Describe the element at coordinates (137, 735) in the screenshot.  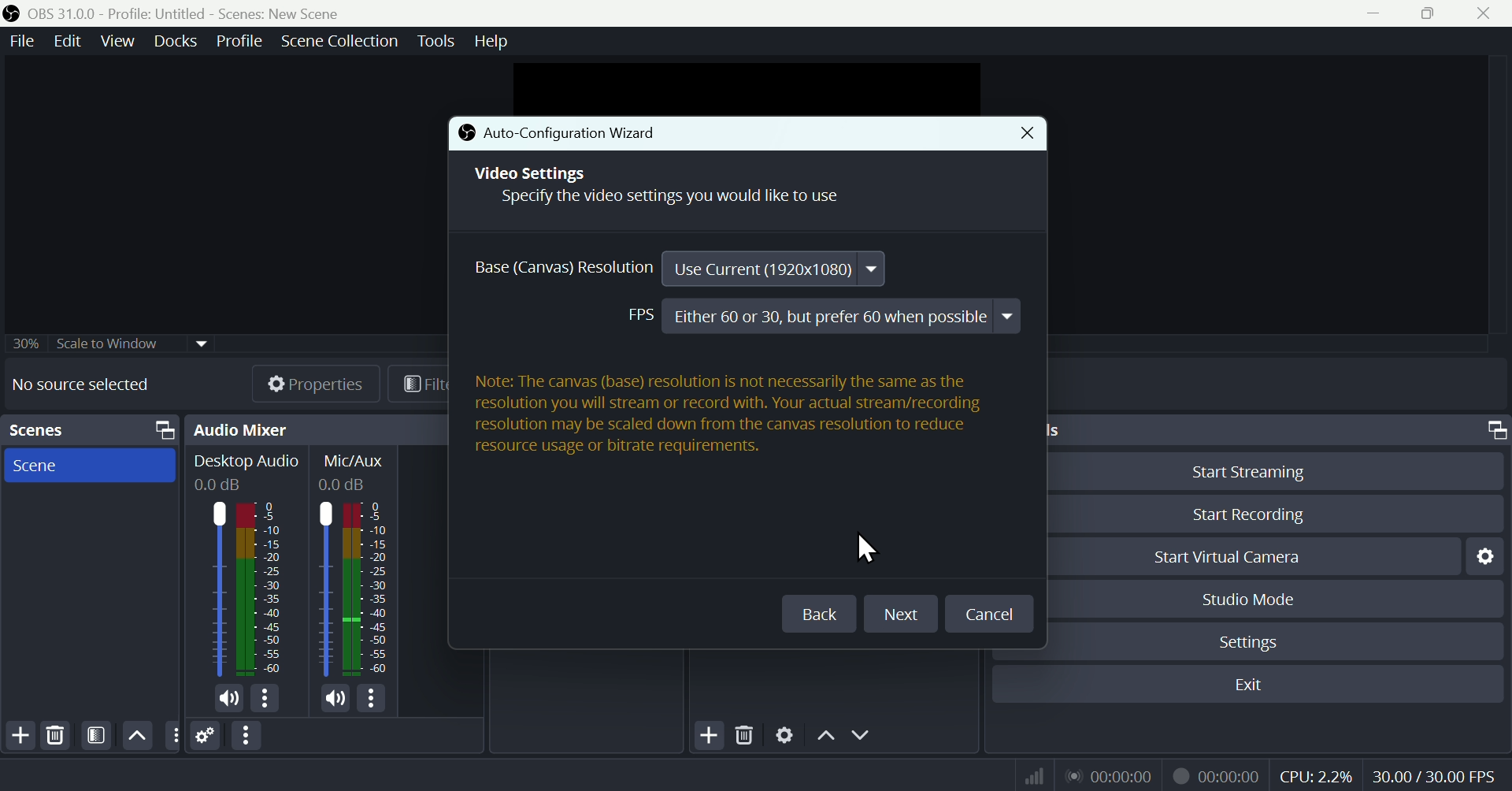
I see `Up` at that location.